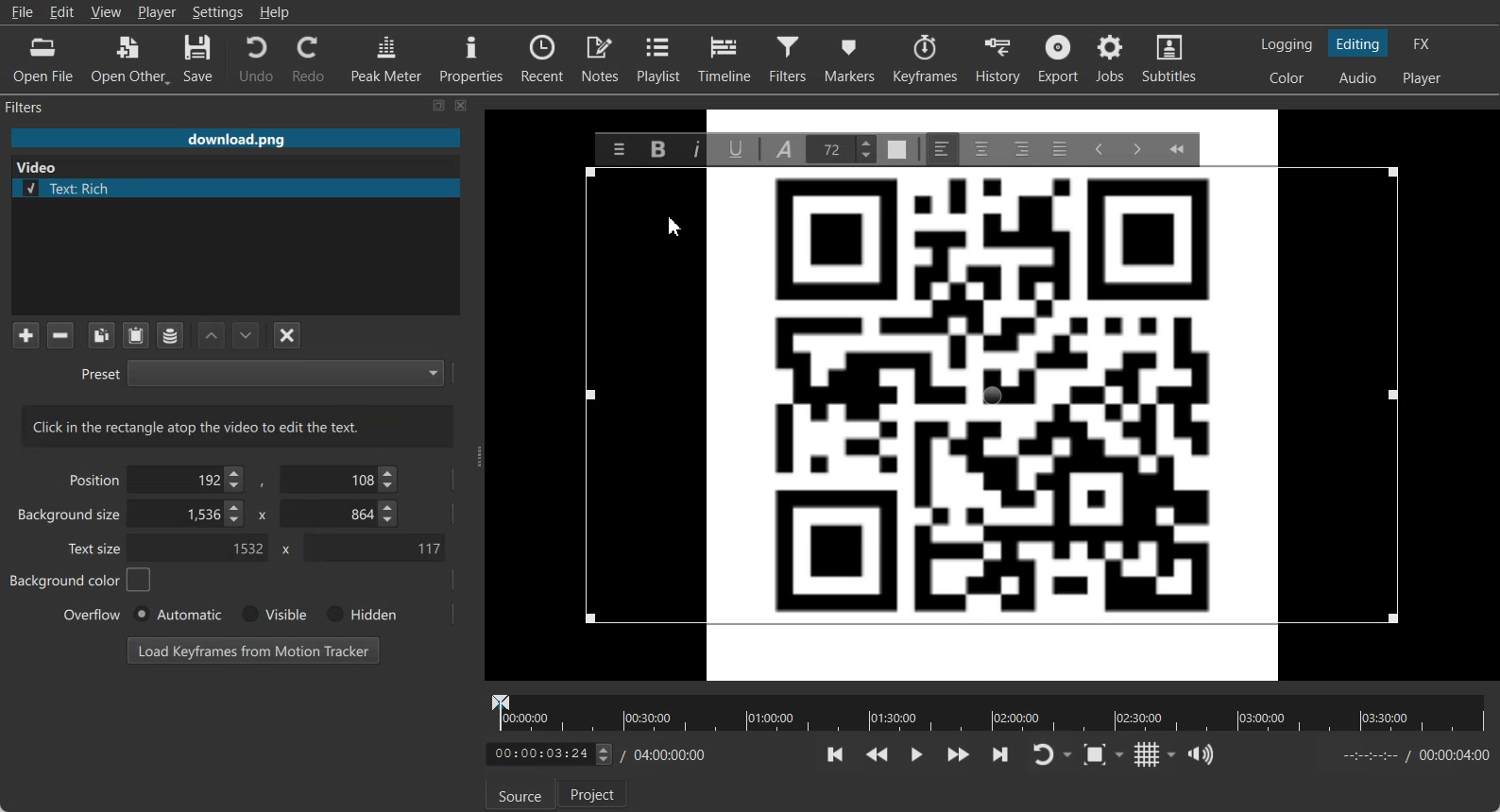 The image size is (1500, 812). What do you see at coordinates (60, 334) in the screenshot?
I see `Remove selected Filter` at bounding box center [60, 334].